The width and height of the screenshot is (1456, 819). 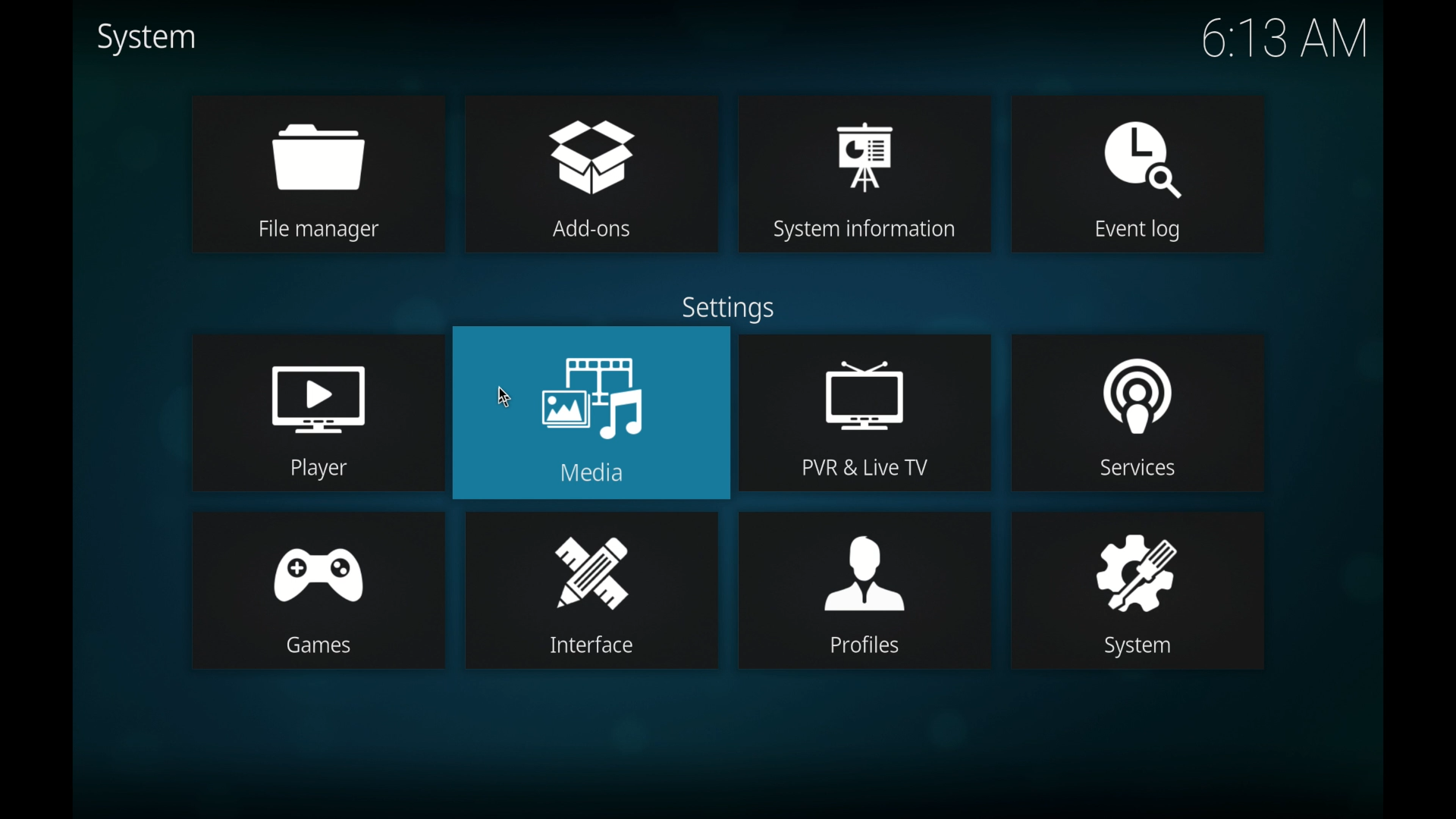 What do you see at coordinates (591, 414) in the screenshot?
I see `media` at bounding box center [591, 414].